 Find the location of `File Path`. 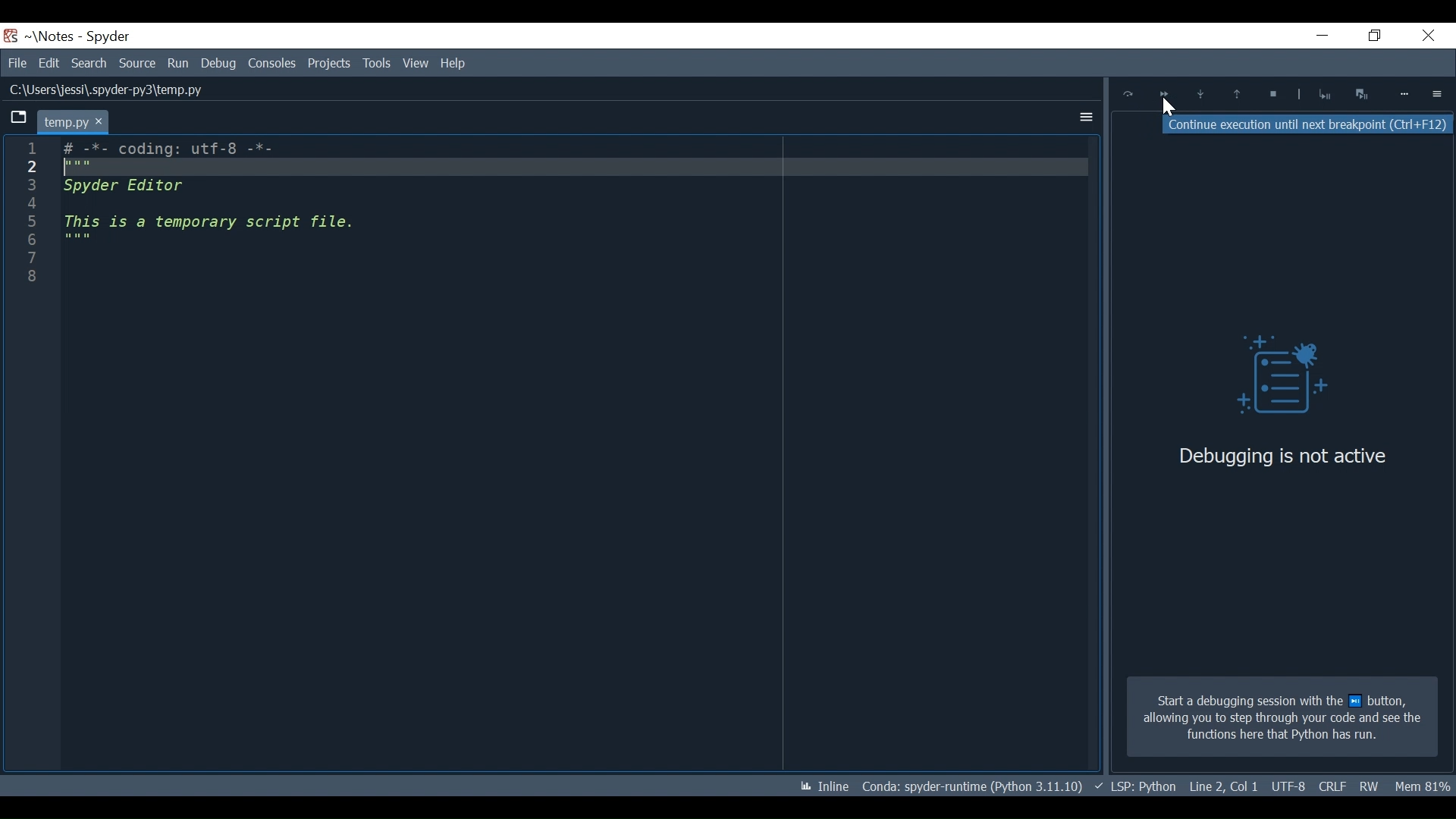

File Path is located at coordinates (103, 90).